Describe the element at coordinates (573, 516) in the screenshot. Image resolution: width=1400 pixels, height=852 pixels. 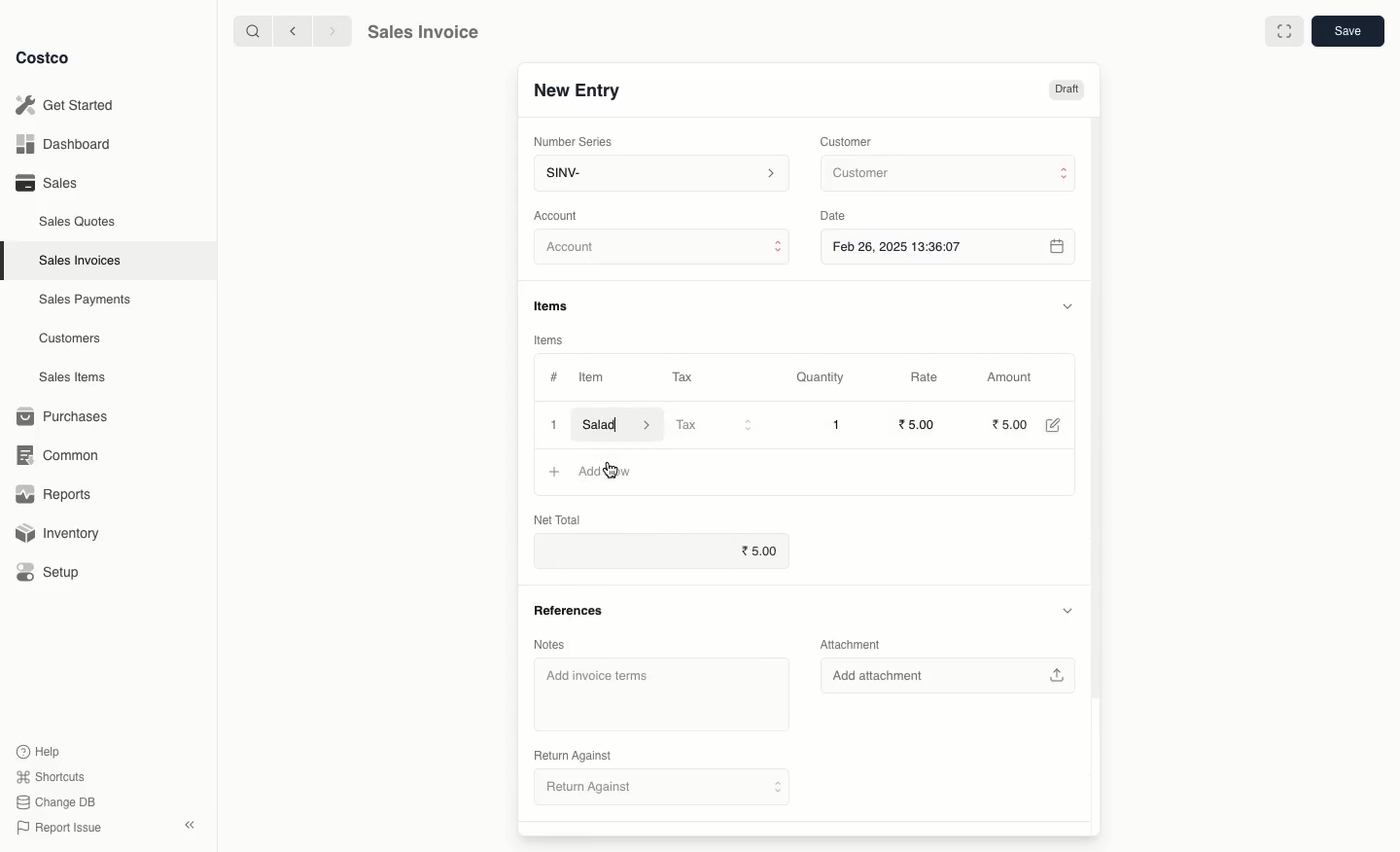
I see `Net Total` at that location.